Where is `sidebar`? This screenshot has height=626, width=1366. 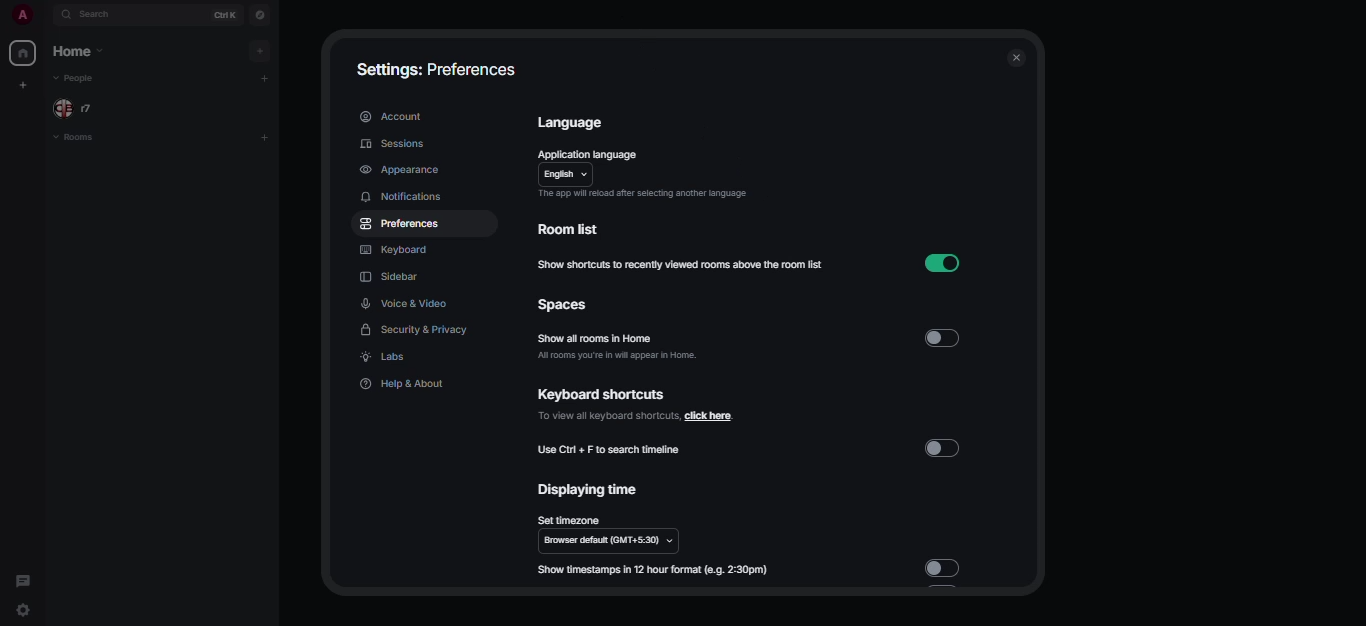 sidebar is located at coordinates (389, 277).